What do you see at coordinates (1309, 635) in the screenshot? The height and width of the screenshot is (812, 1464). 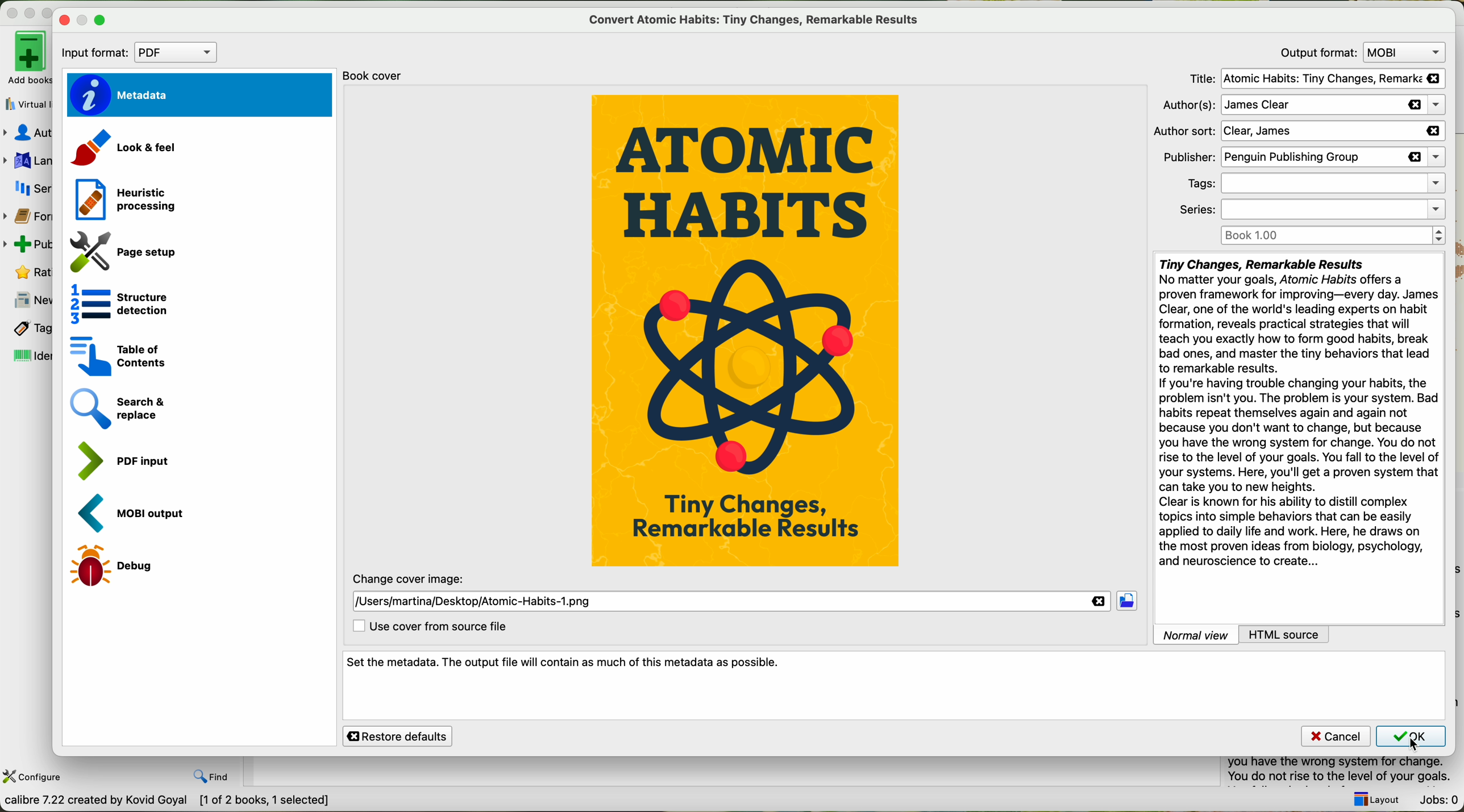 I see `HTML source` at bounding box center [1309, 635].